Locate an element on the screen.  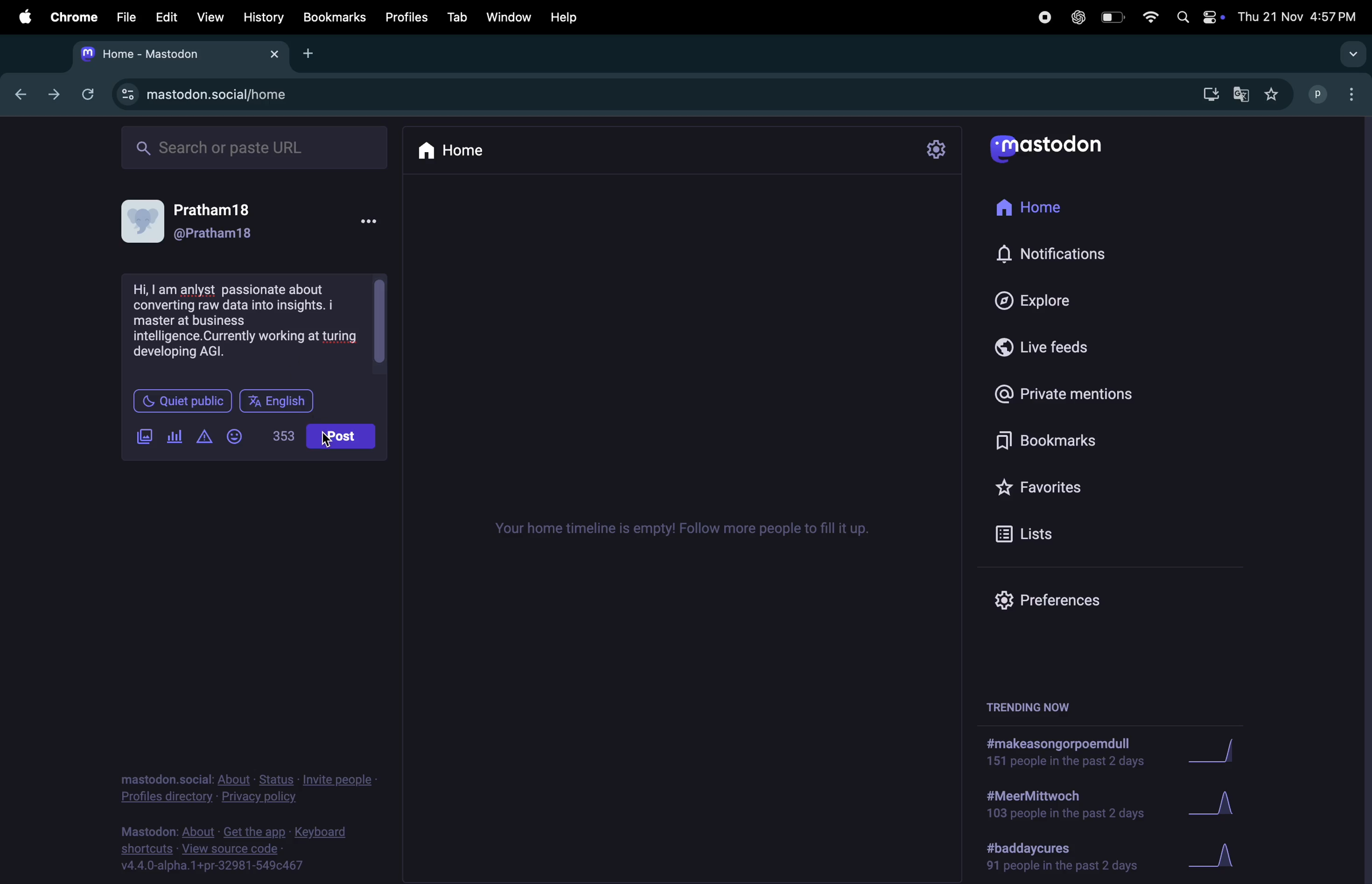
optuons is located at coordinates (1354, 93).